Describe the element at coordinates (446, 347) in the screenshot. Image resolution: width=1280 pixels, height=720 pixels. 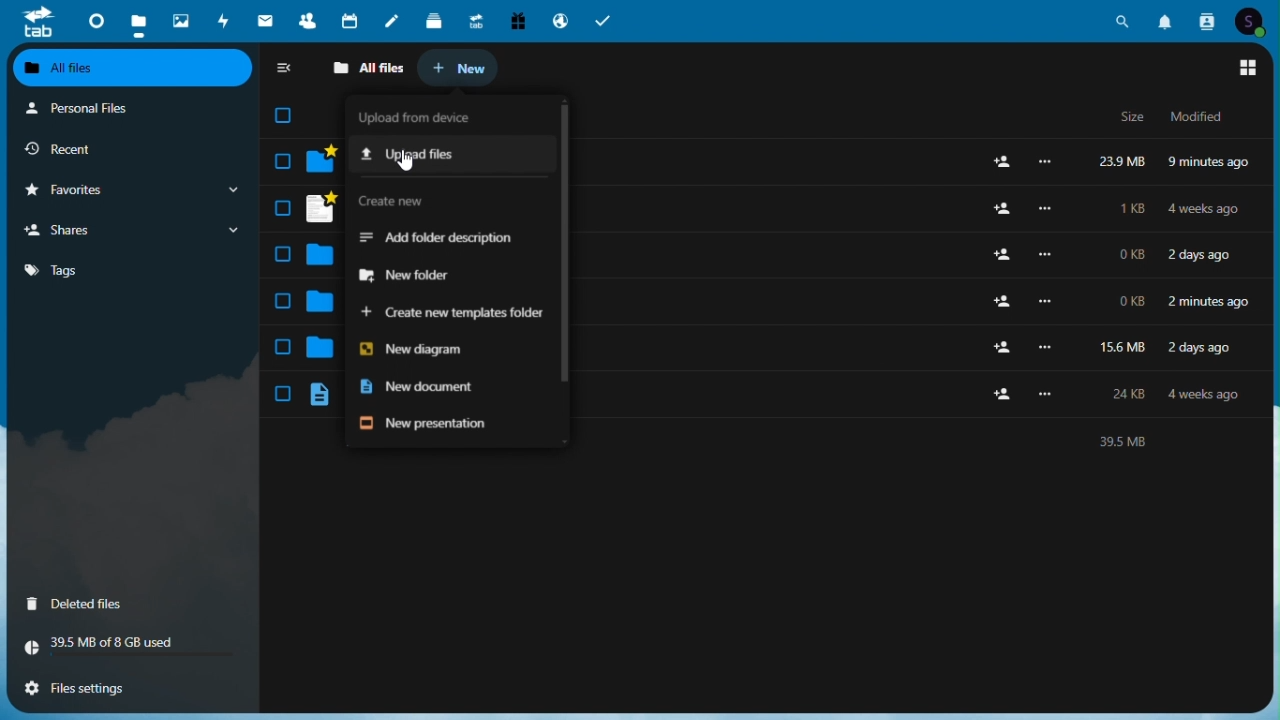
I see `New diagram` at that location.